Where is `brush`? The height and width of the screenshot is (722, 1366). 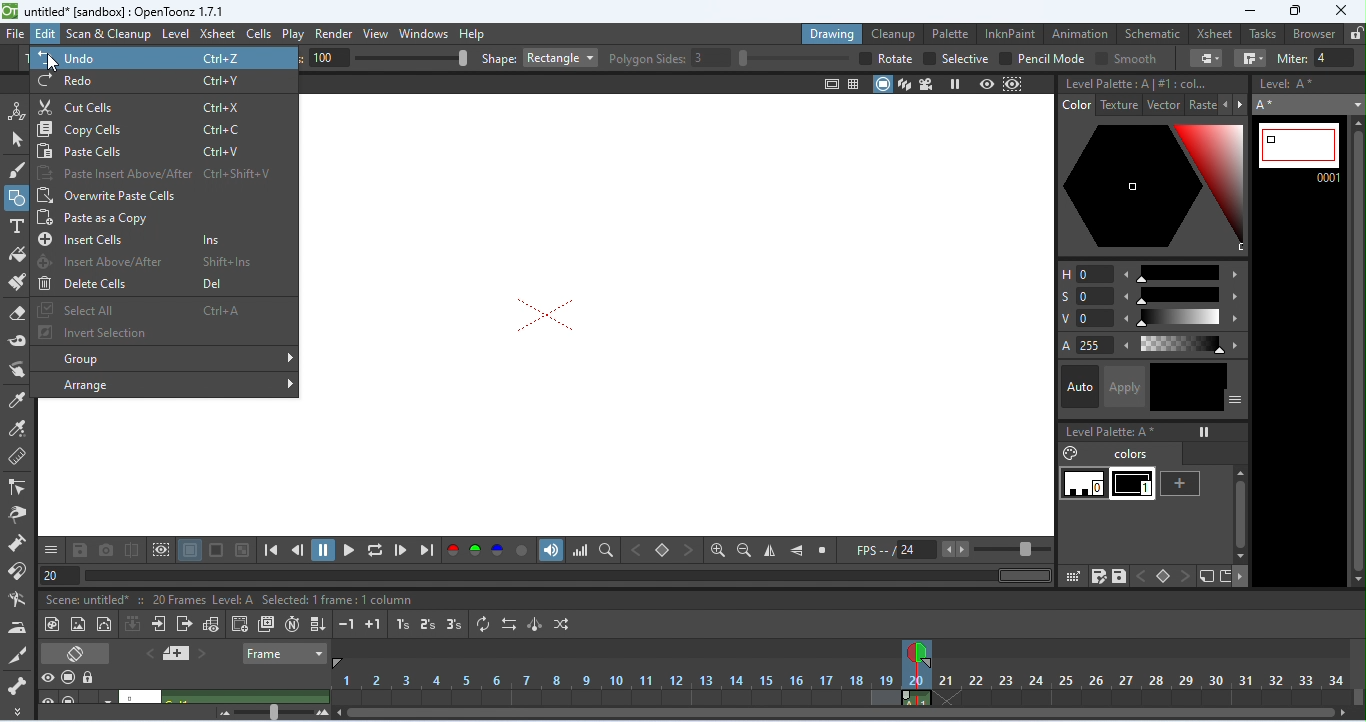
brush is located at coordinates (17, 169).